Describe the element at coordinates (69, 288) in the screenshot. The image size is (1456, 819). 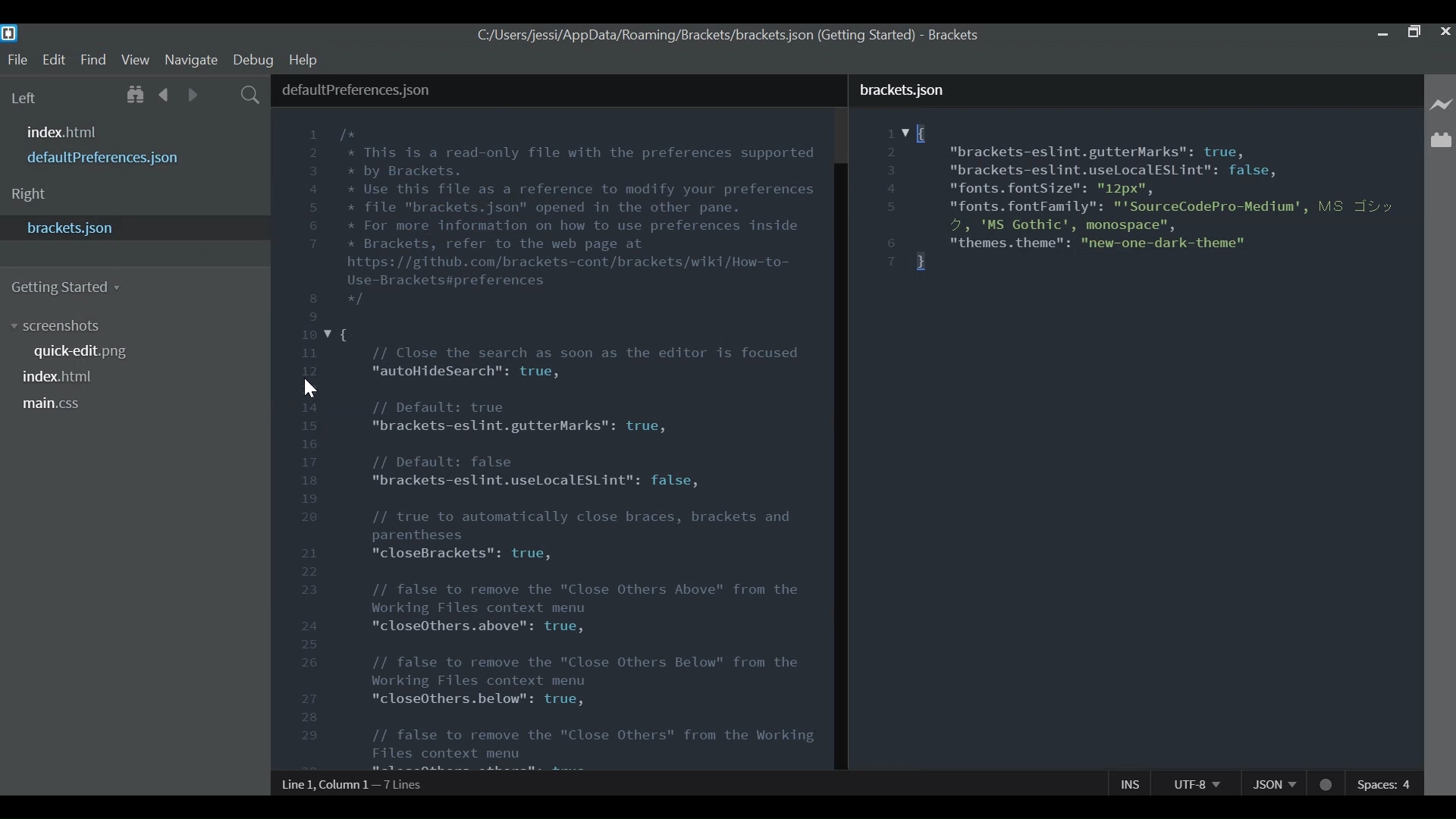
I see `Getting Started` at that location.